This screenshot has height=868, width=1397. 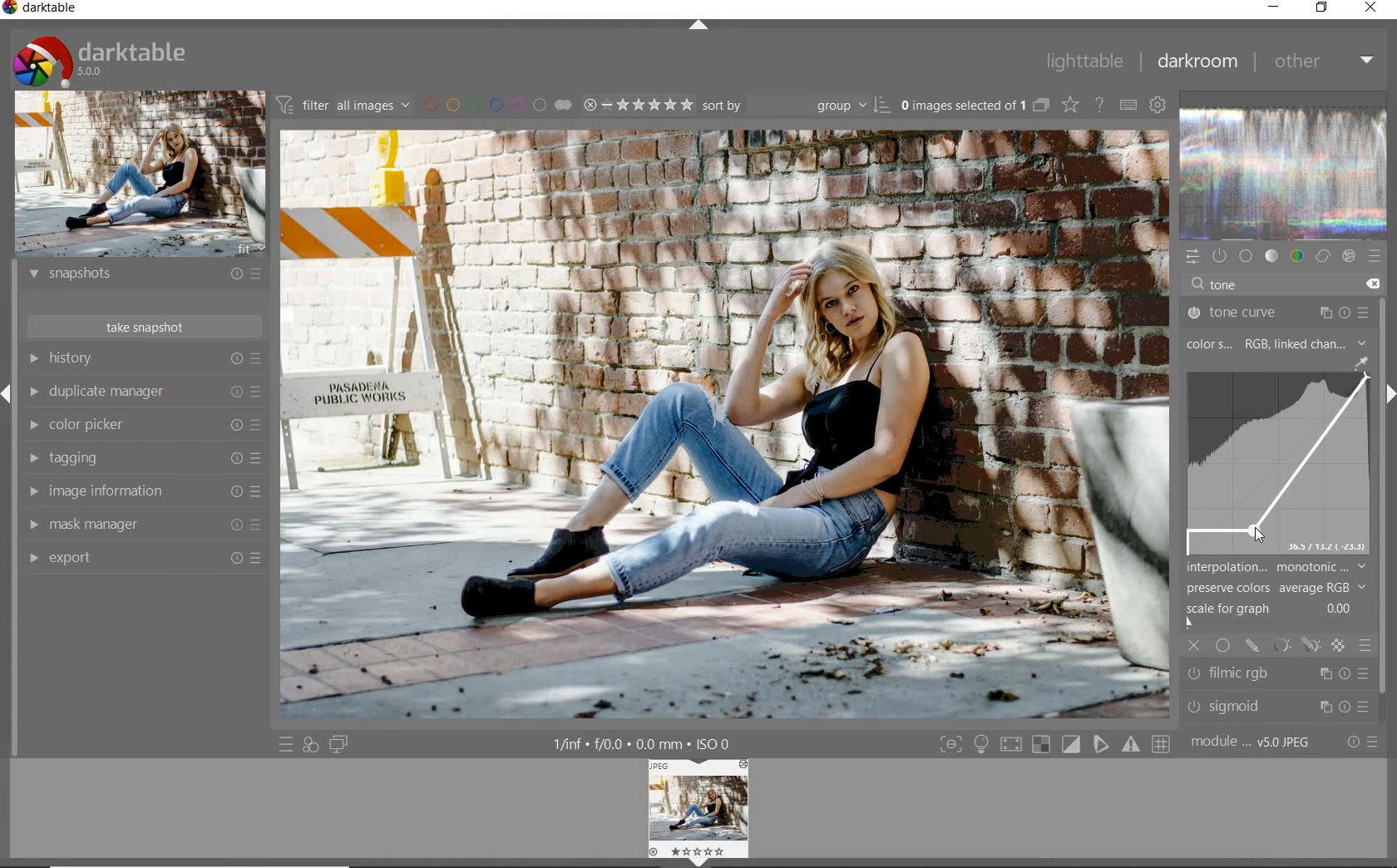 What do you see at coordinates (1225, 344) in the screenshot?
I see `color s.. RGB` at bounding box center [1225, 344].